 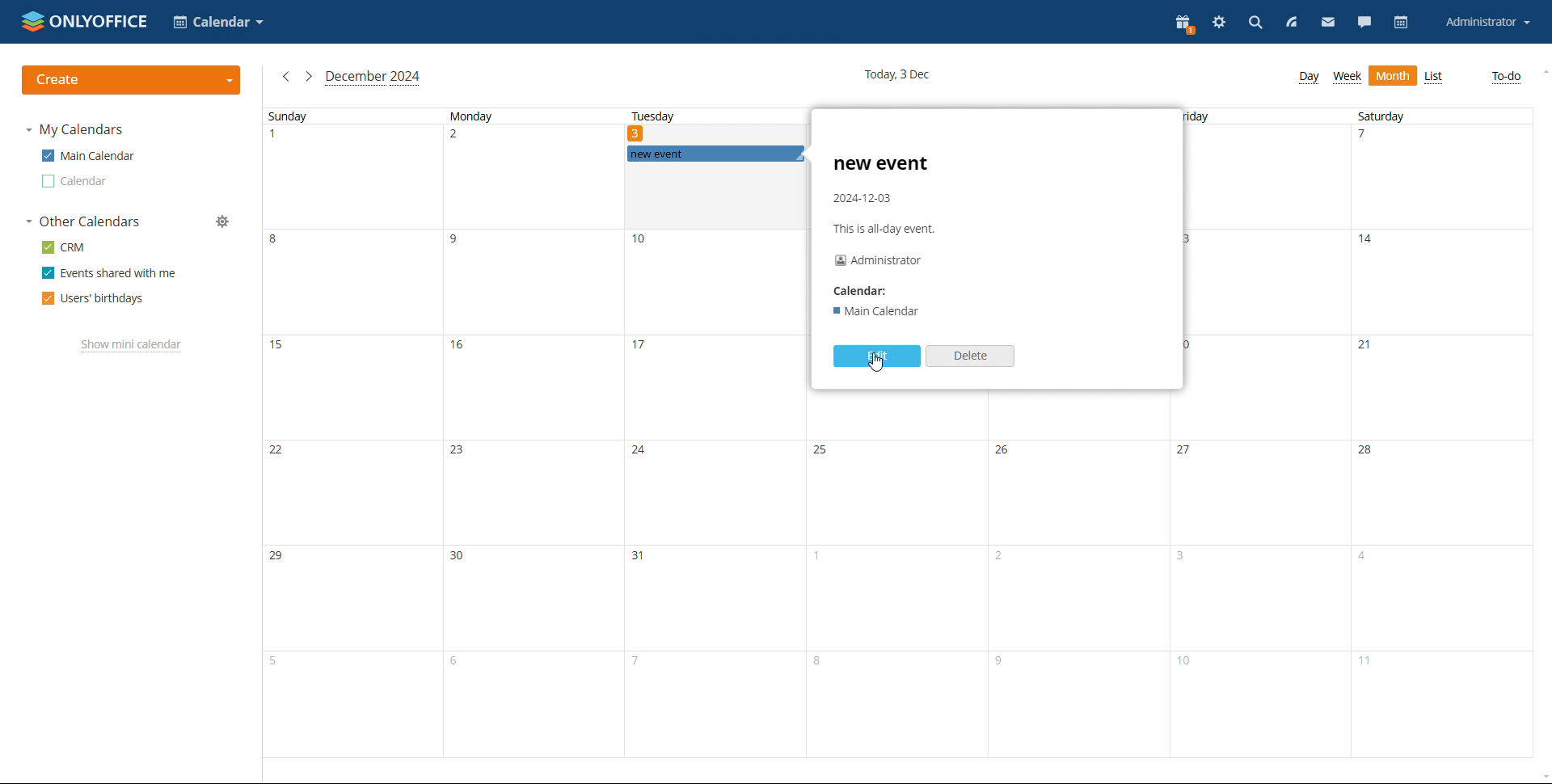 I want to click on logo, so click(x=85, y=20).